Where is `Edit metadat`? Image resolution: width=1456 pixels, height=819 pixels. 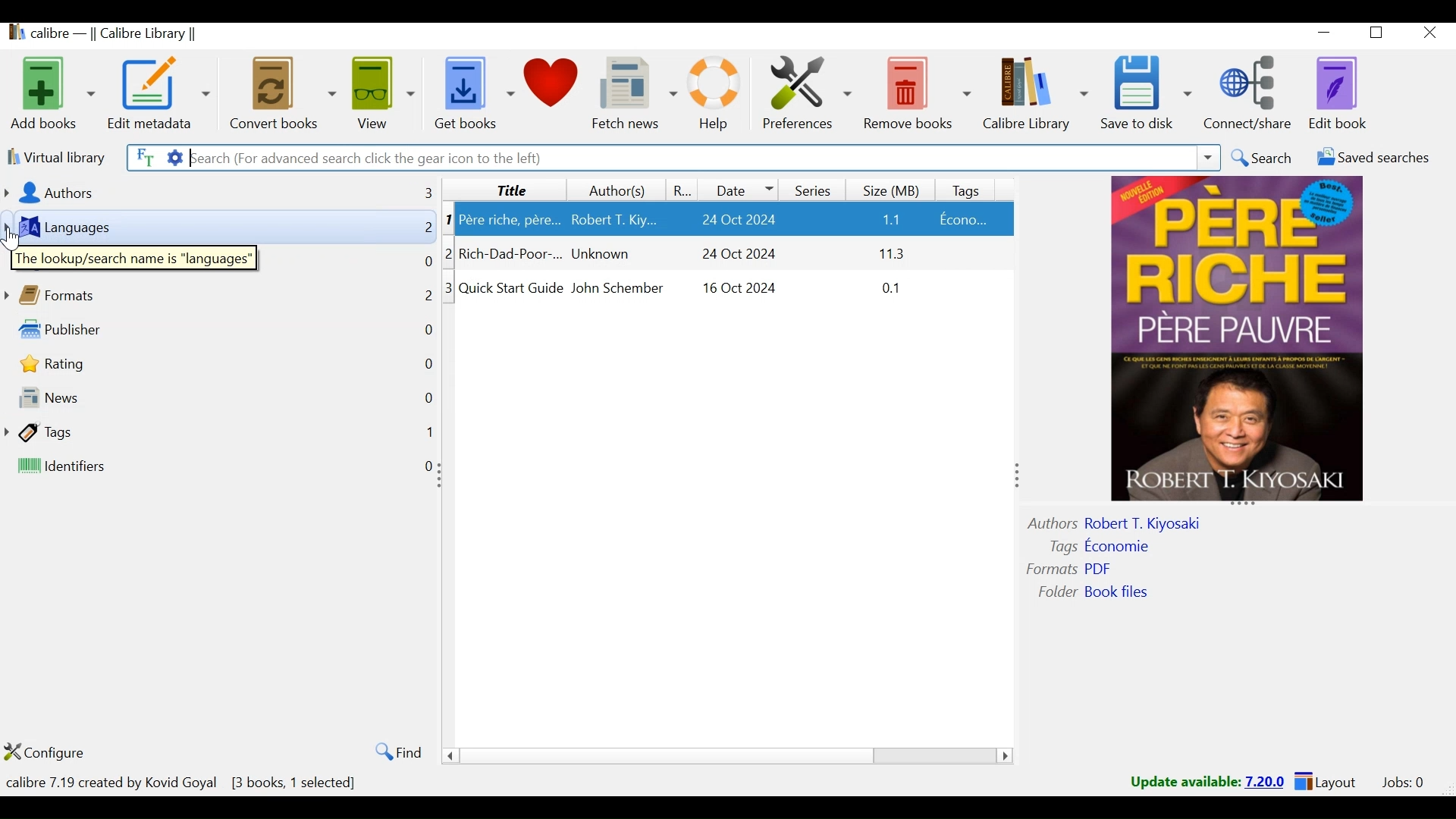
Edit metadat is located at coordinates (160, 93).